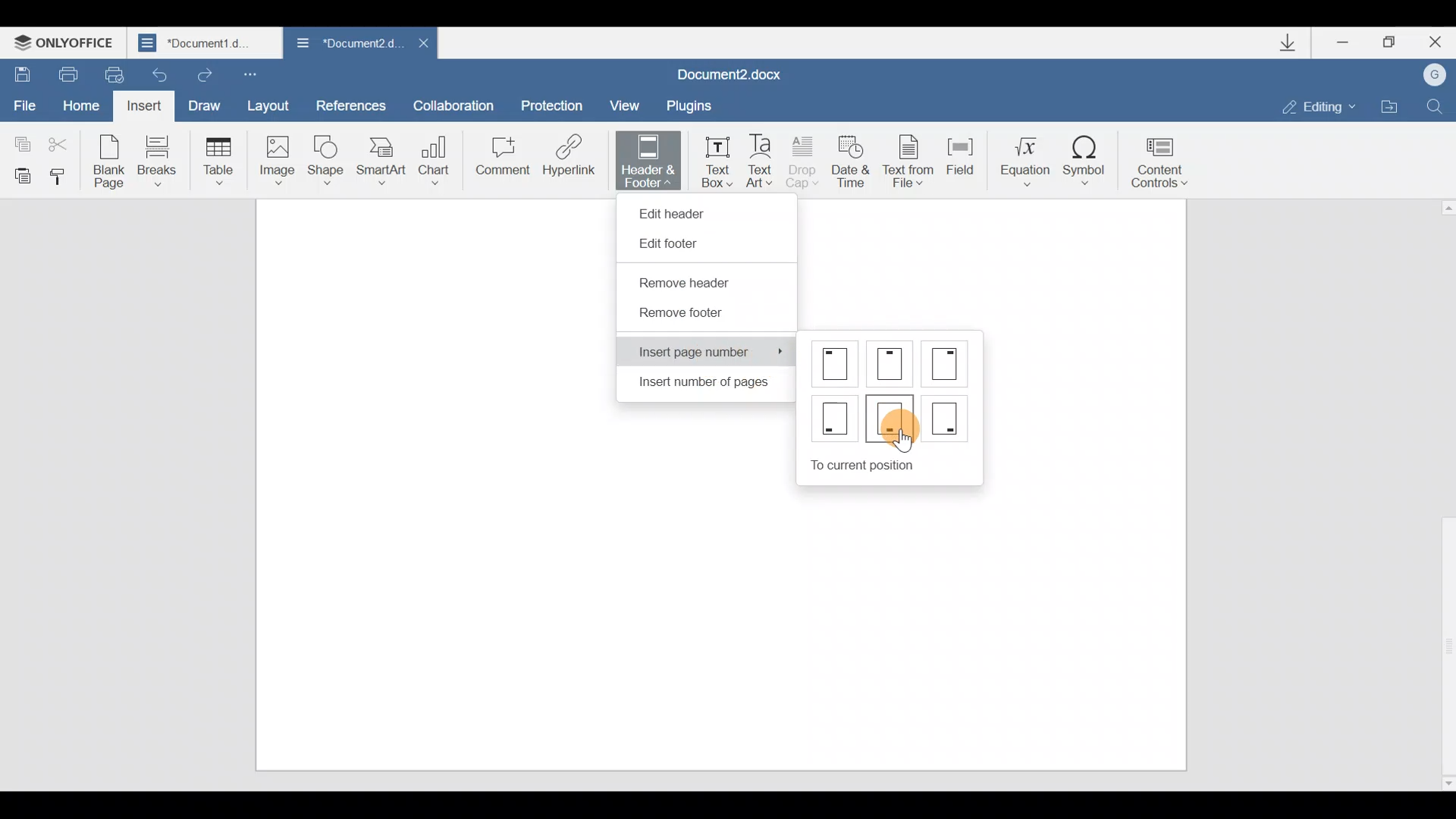 Image resolution: width=1456 pixels, height=819 pixels. Describe the element at coordinates (155, 161) in the screenshot. I see `Breaks` at that location.